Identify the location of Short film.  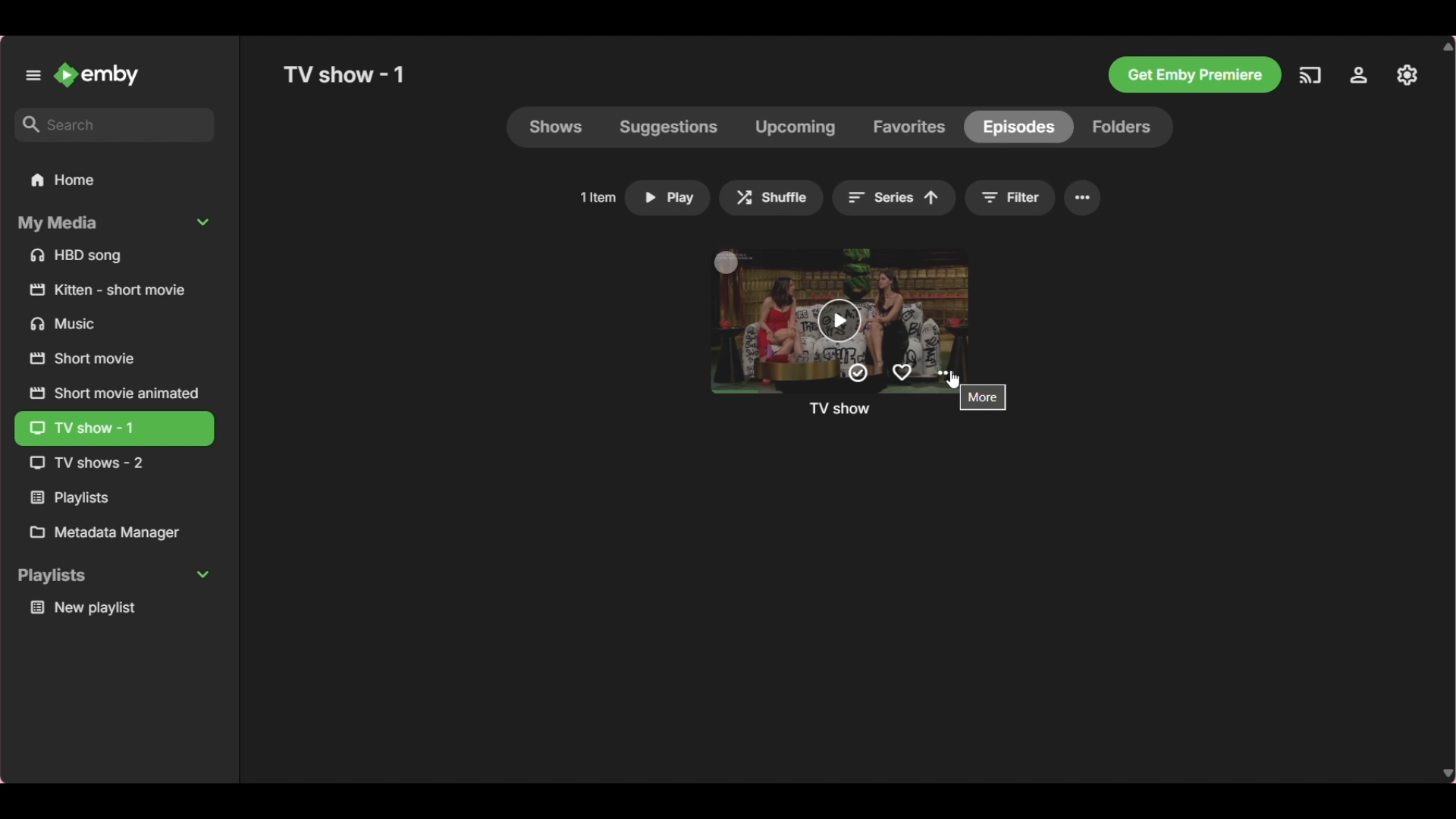
(113, 359).